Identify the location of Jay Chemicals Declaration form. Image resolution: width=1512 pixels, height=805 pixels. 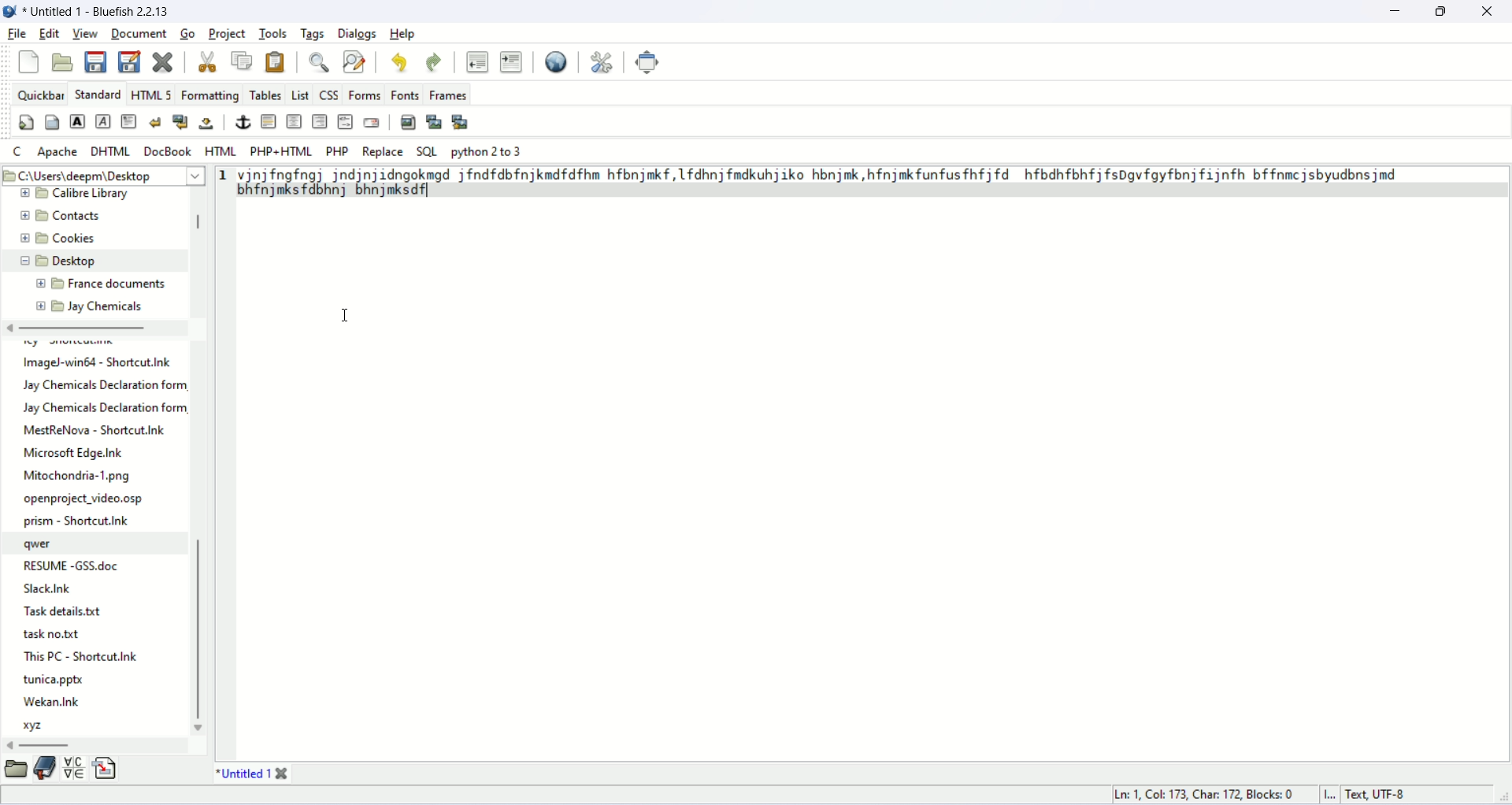
(108, 384).